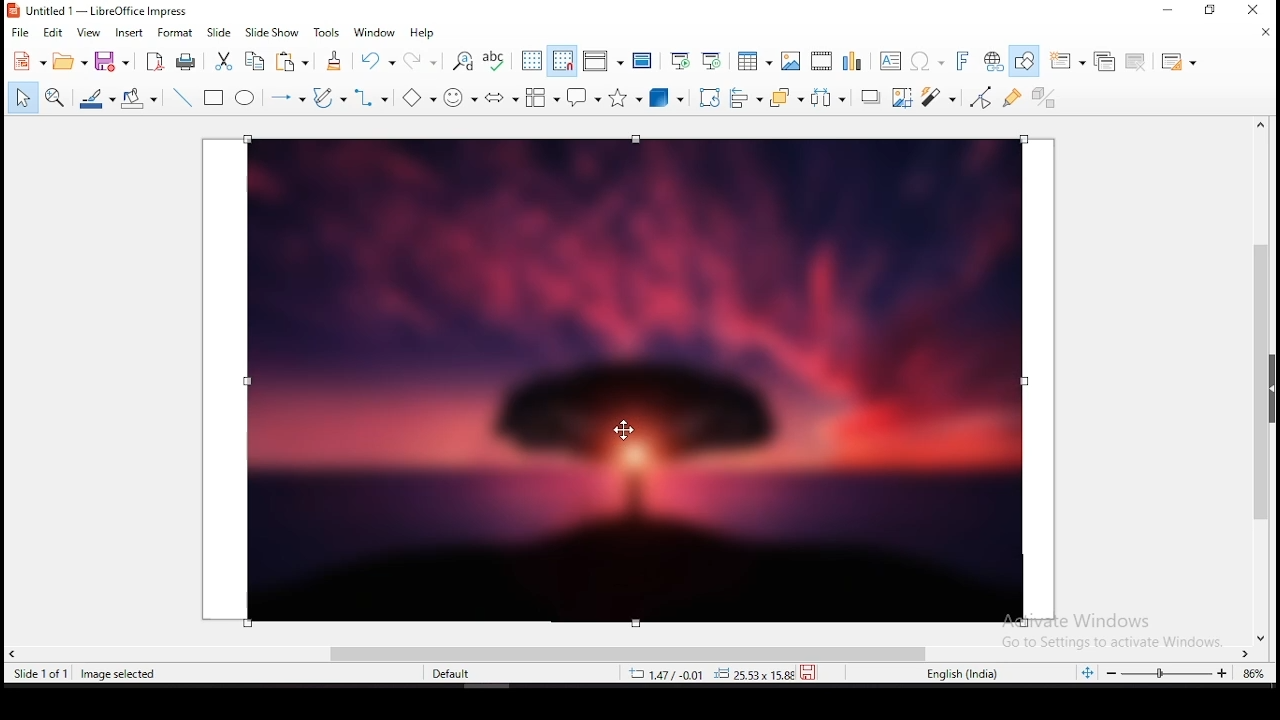 The image size is (1280, 720). Describe the element at coordinates (745, 98) in the screenshot. I see `align objects` at that location.